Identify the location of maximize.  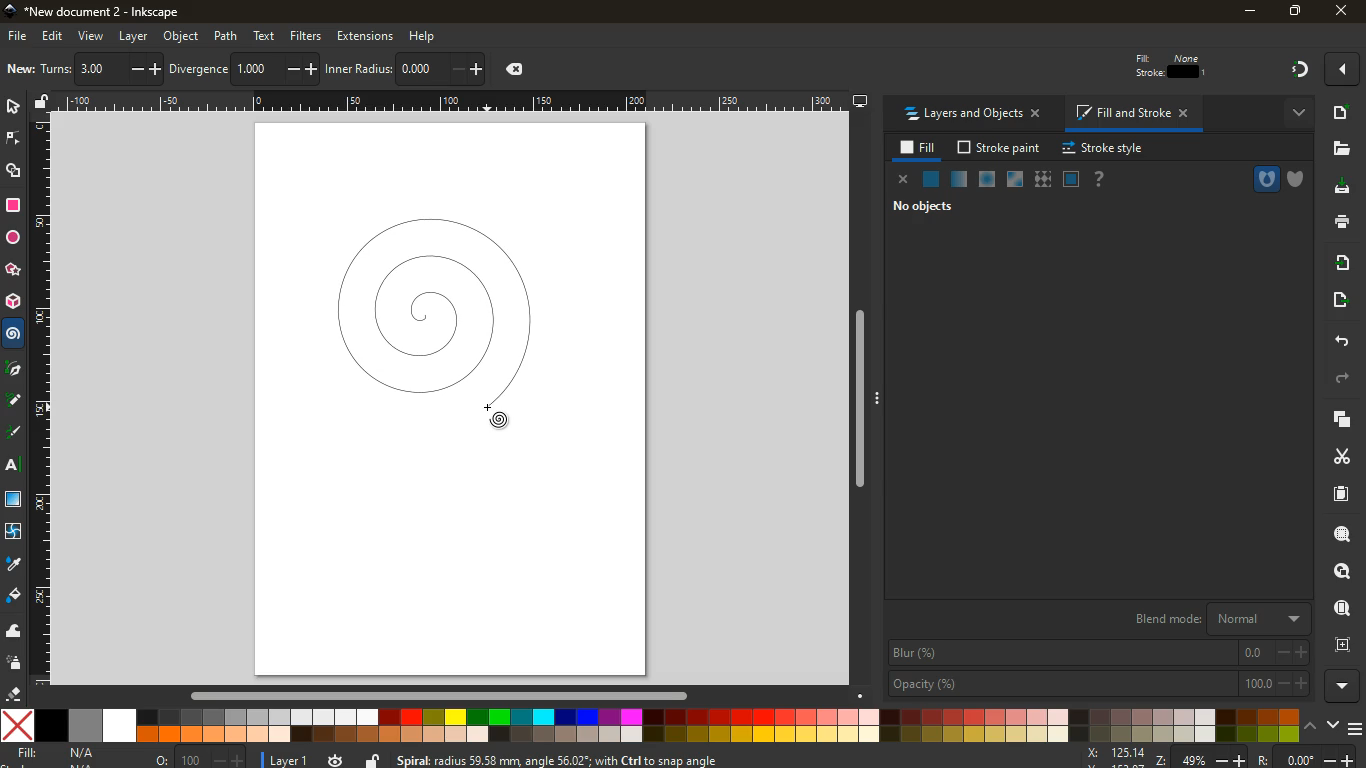
(1293, 10).